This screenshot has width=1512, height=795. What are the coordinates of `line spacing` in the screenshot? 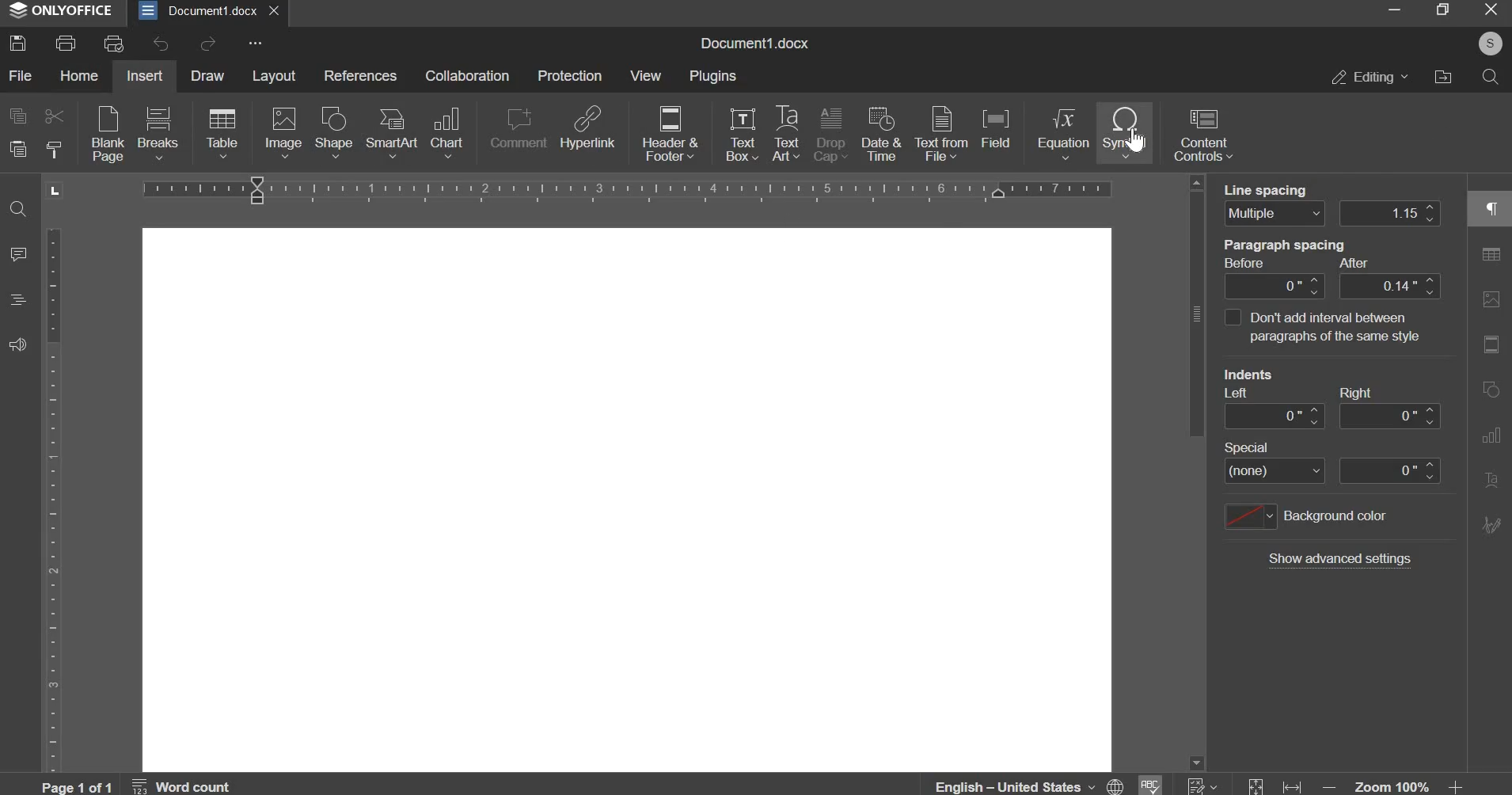 It's located at (1275, 188).